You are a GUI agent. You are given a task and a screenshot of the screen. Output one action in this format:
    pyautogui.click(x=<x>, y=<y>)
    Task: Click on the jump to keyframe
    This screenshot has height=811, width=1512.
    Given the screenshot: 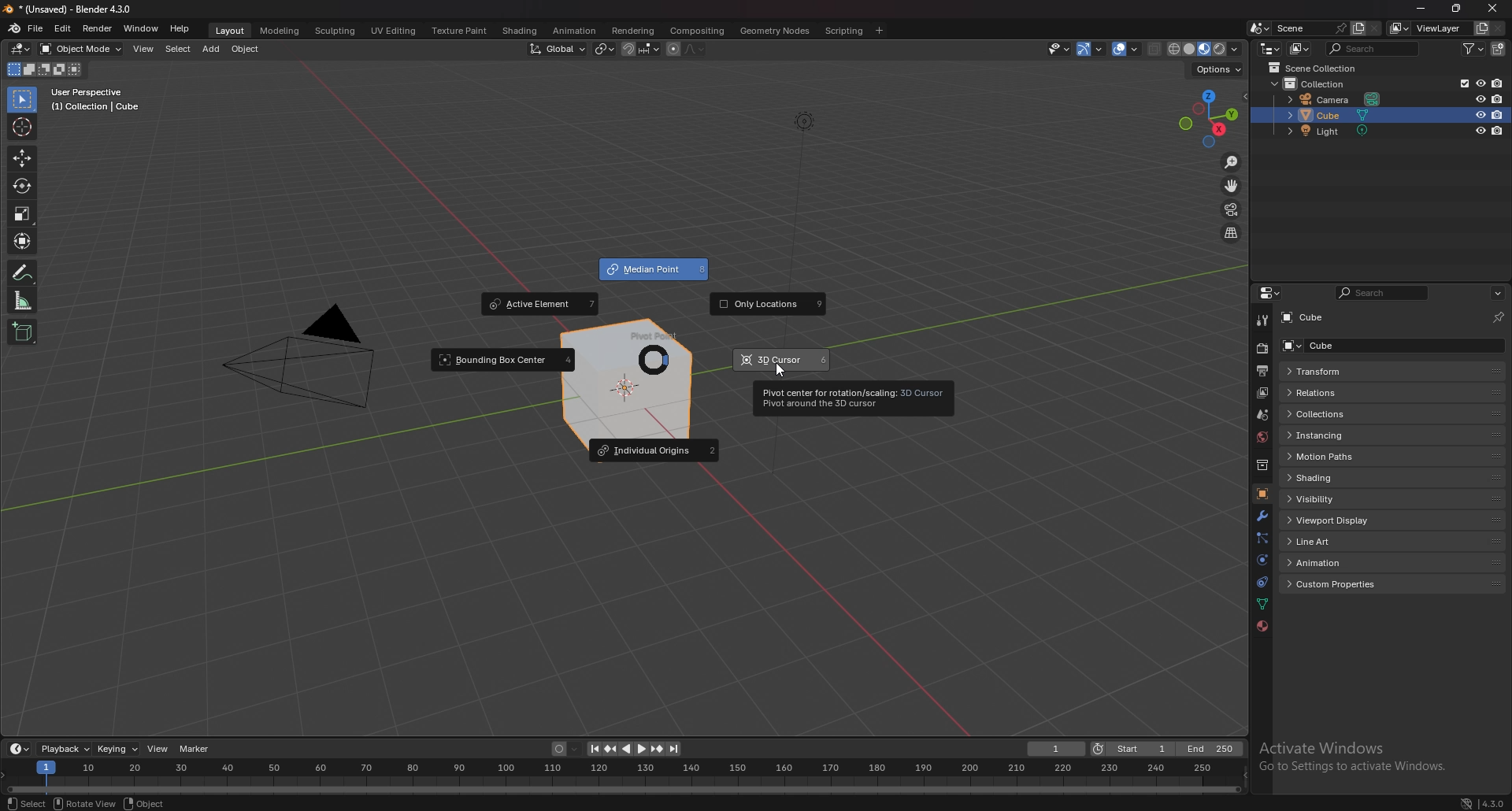 What is the action you would take?
    pyautogui.click(x=612, y=749)
    